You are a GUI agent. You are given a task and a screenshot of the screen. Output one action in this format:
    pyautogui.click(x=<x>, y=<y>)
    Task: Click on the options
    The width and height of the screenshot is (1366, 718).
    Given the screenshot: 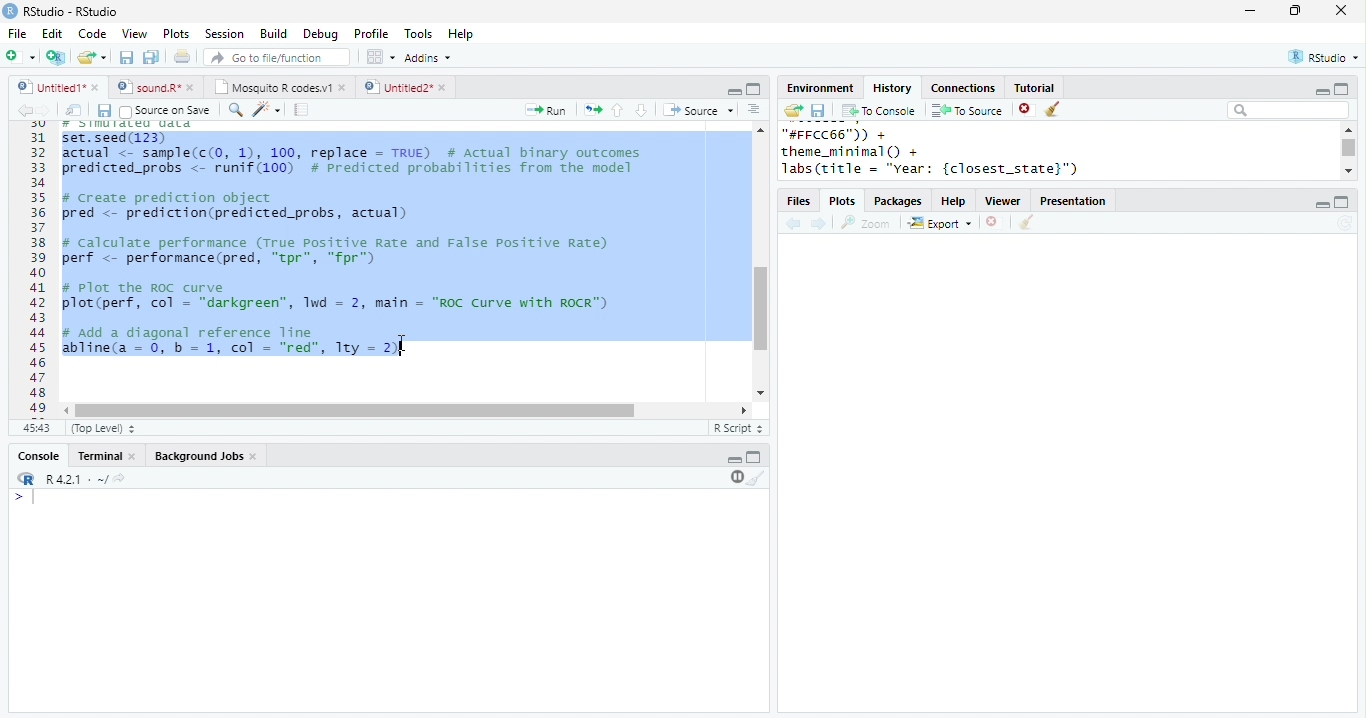 What is the action you would take?
    pyautogui.click(x=754, y=109)
    